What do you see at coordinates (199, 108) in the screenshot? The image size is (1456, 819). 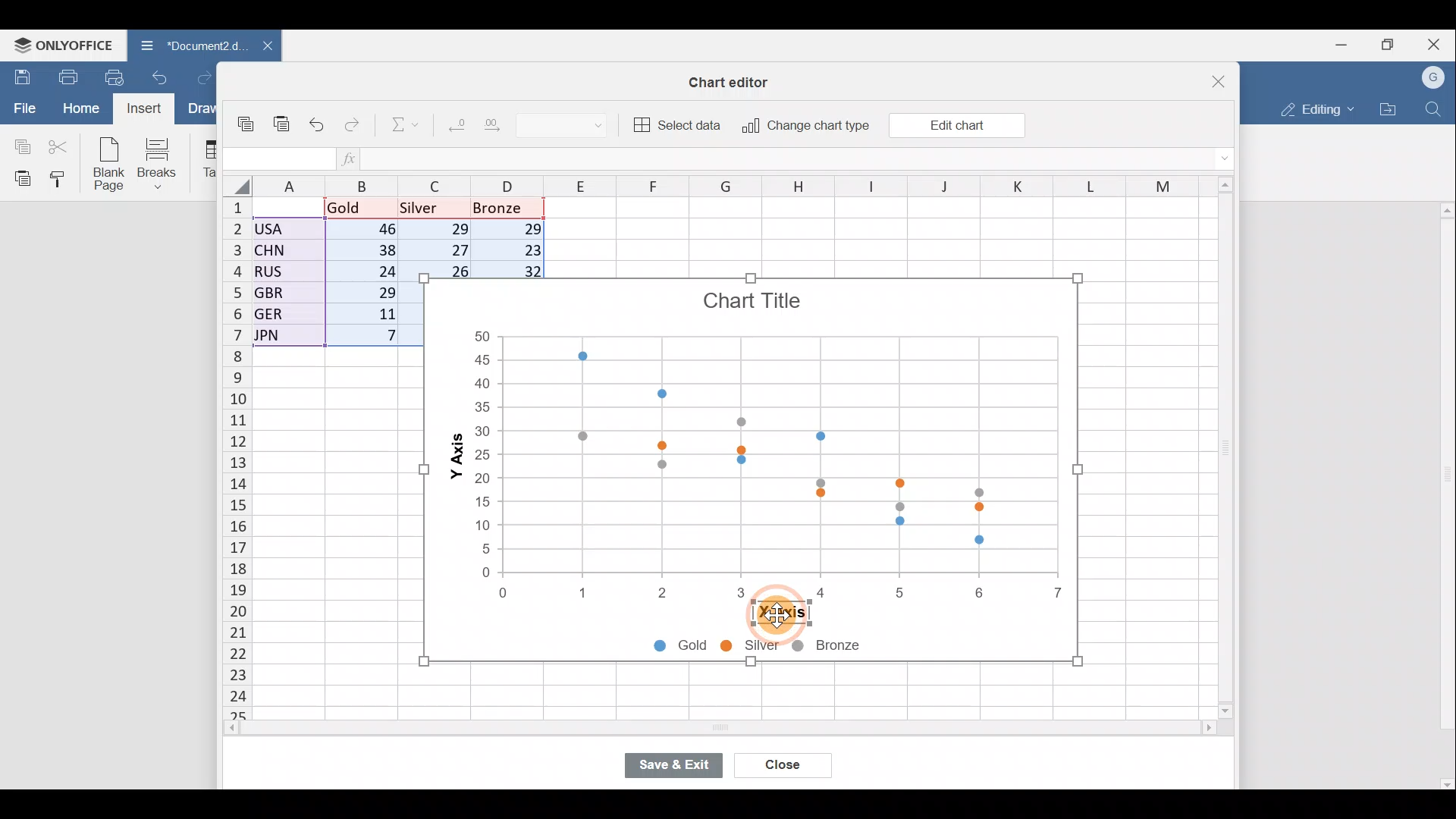 I see `Draw` at bounding box center [199, 108].